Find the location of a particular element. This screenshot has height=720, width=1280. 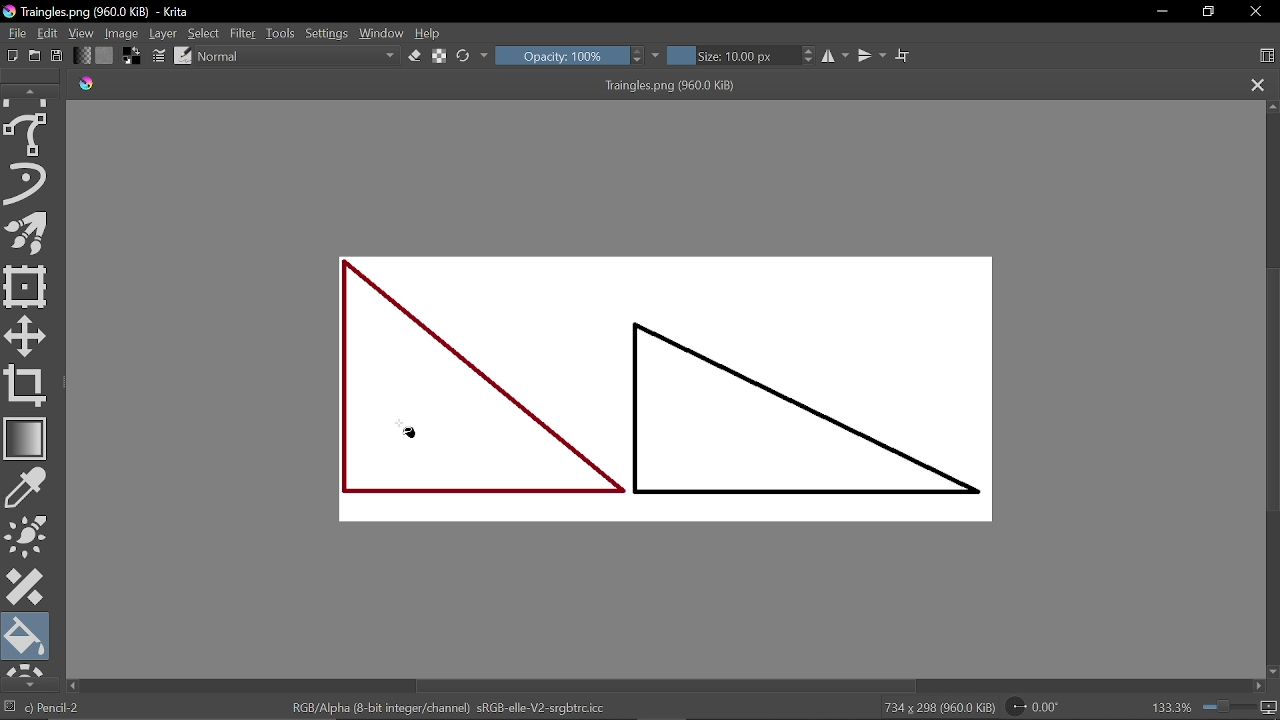

Dynamic brush tool is located at coordinates (28, 182).